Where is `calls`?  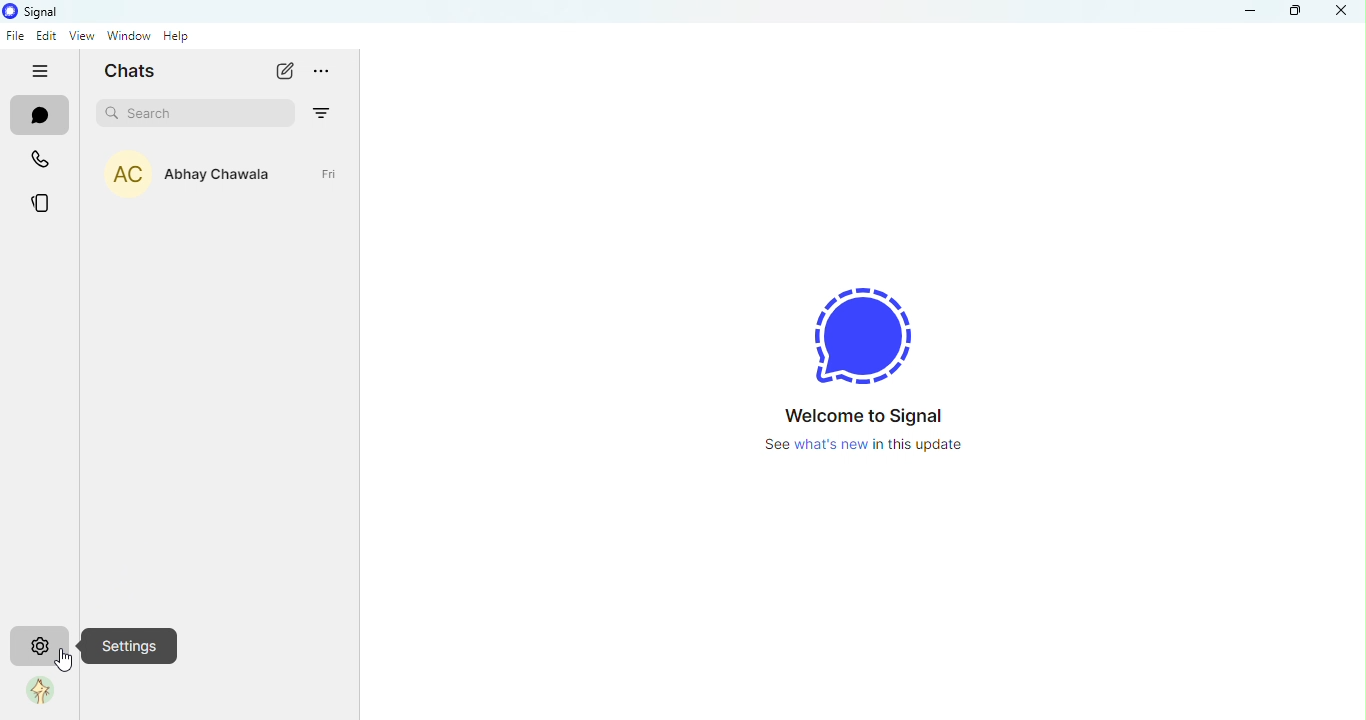
calls is located at coordinates (42, 160).